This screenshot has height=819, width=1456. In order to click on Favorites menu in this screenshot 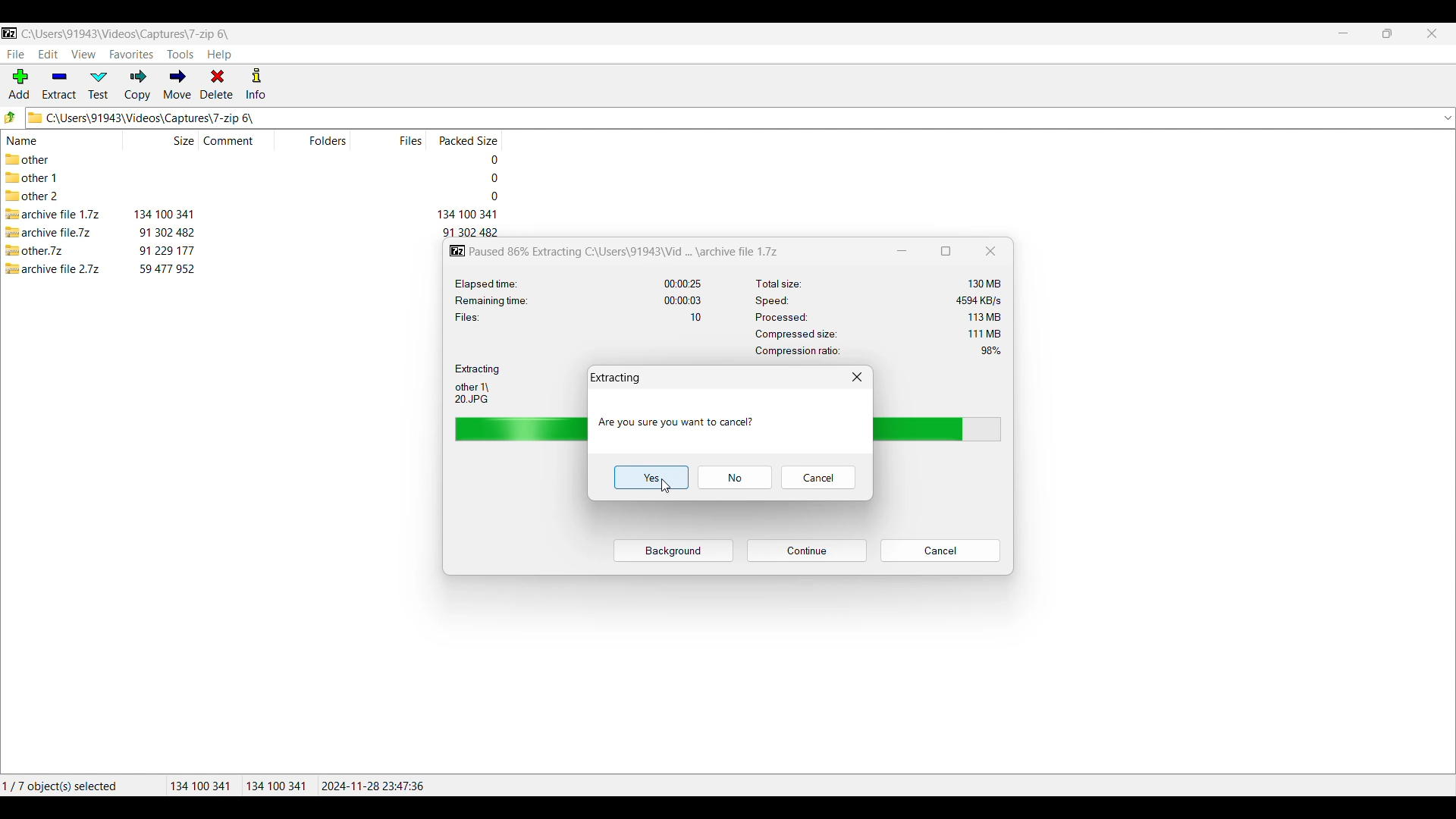, I will do `click(131, 55)`.